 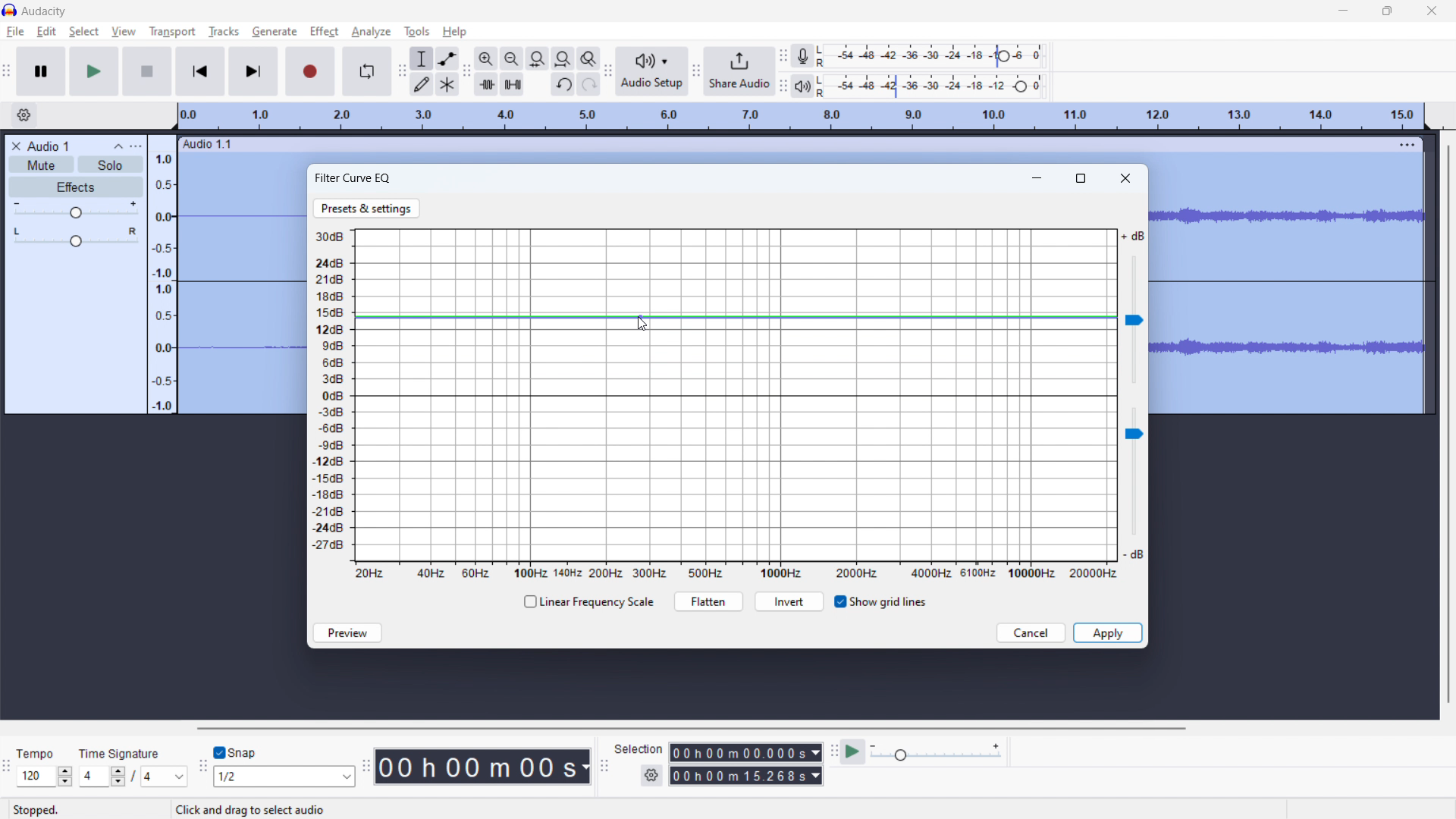 What do you see at coordinates (803, 117) in the screenshot?
I see `timeline` at bounding box center [803, 117].